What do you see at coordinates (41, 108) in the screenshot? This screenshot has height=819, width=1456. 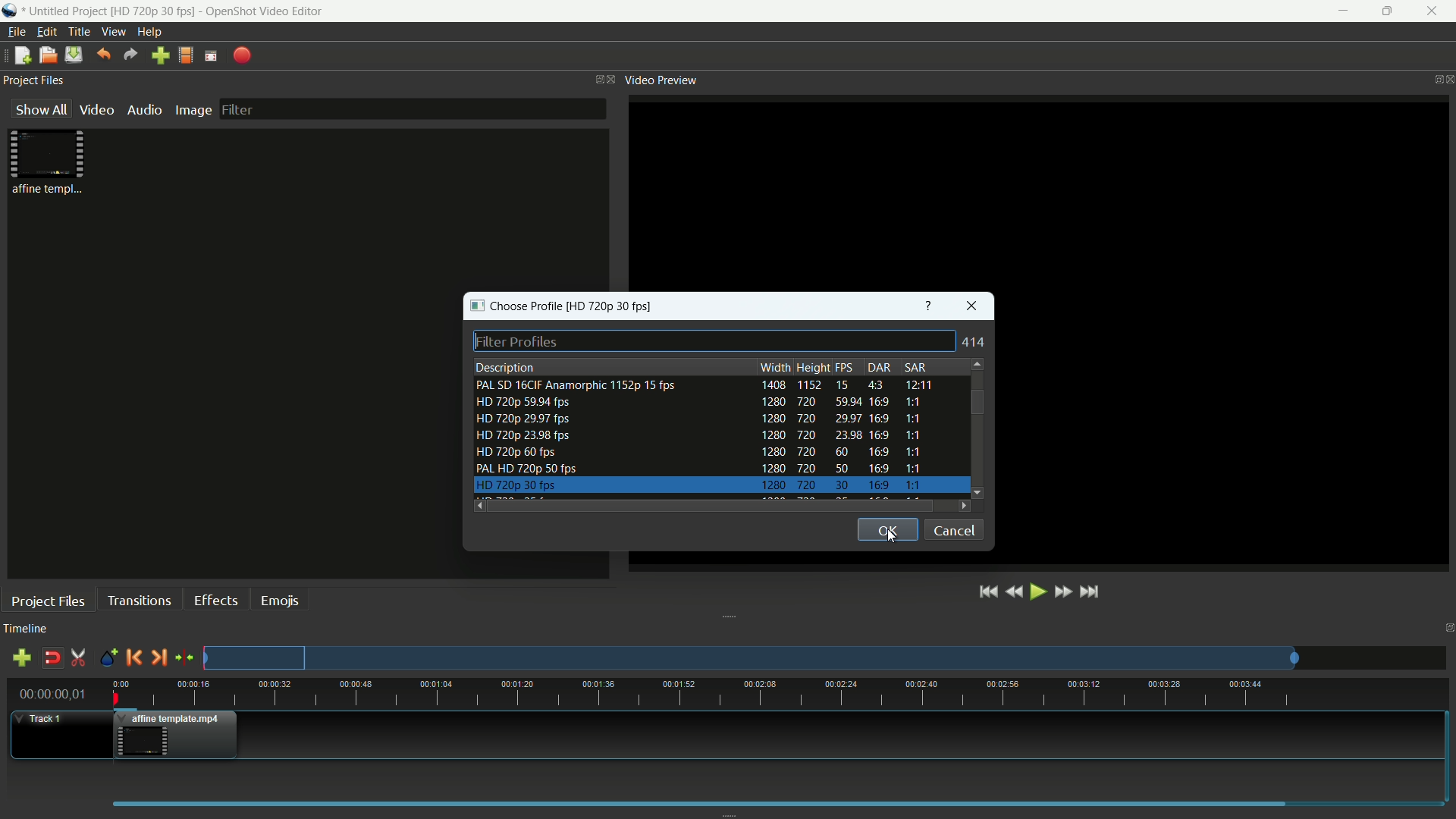 I see `show all` at bounding box center [41, 108].